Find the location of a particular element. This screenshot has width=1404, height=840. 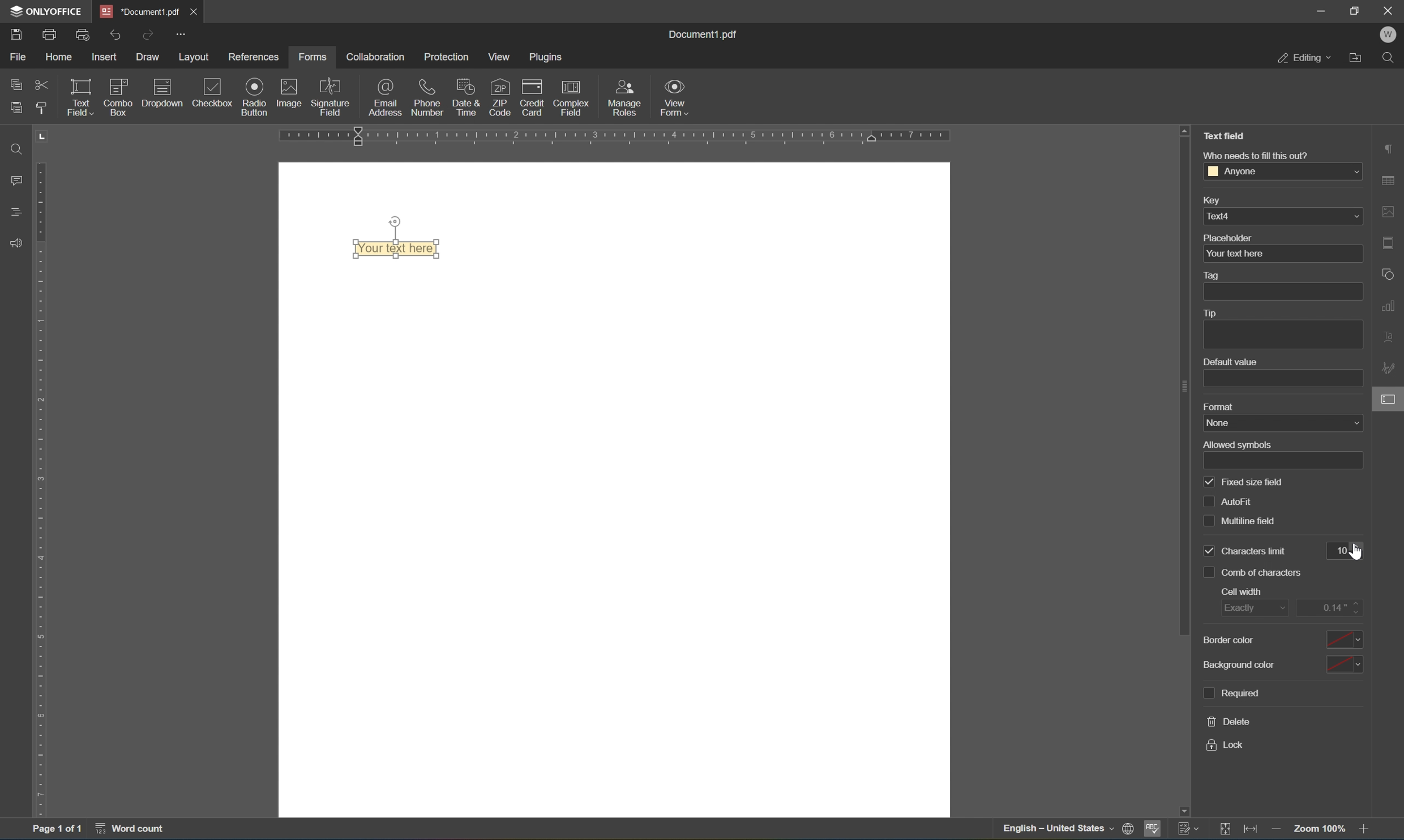

references is located at coordinates (254, 57).